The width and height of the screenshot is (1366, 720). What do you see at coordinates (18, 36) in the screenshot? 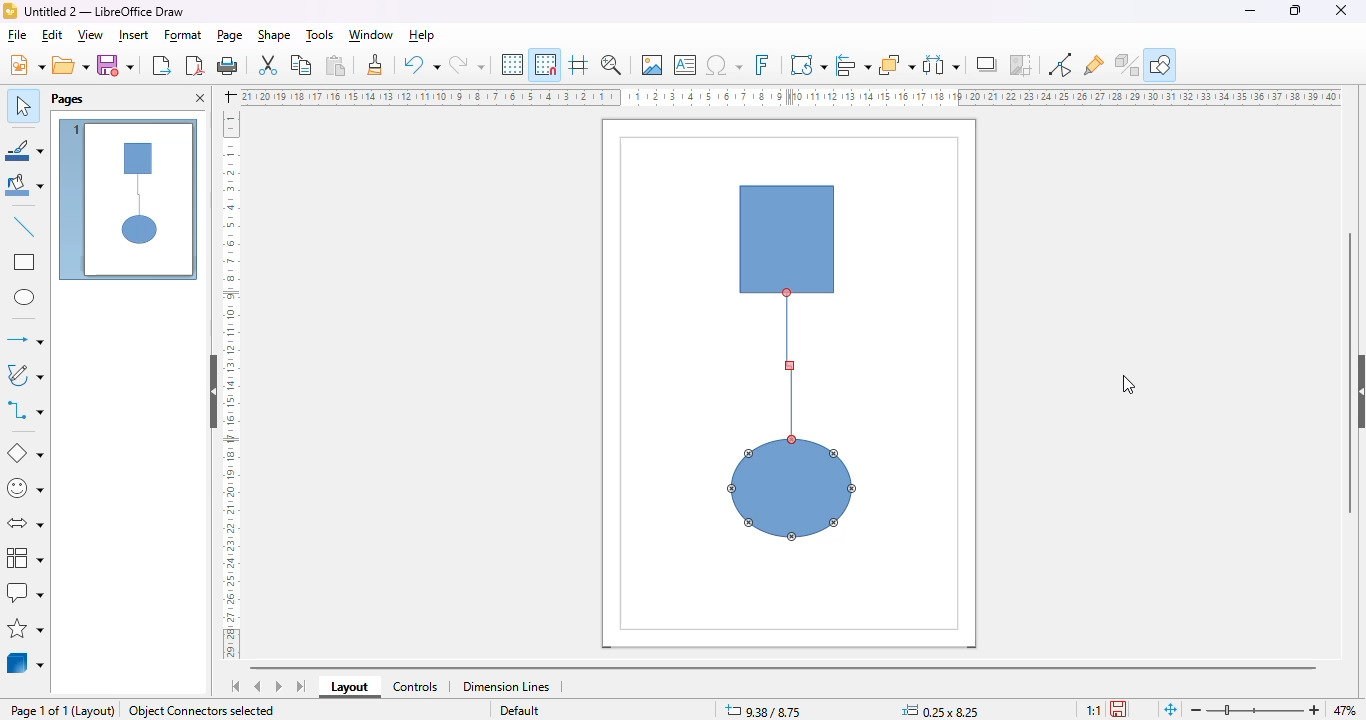
I see `file` at bounding box center [18, 36].